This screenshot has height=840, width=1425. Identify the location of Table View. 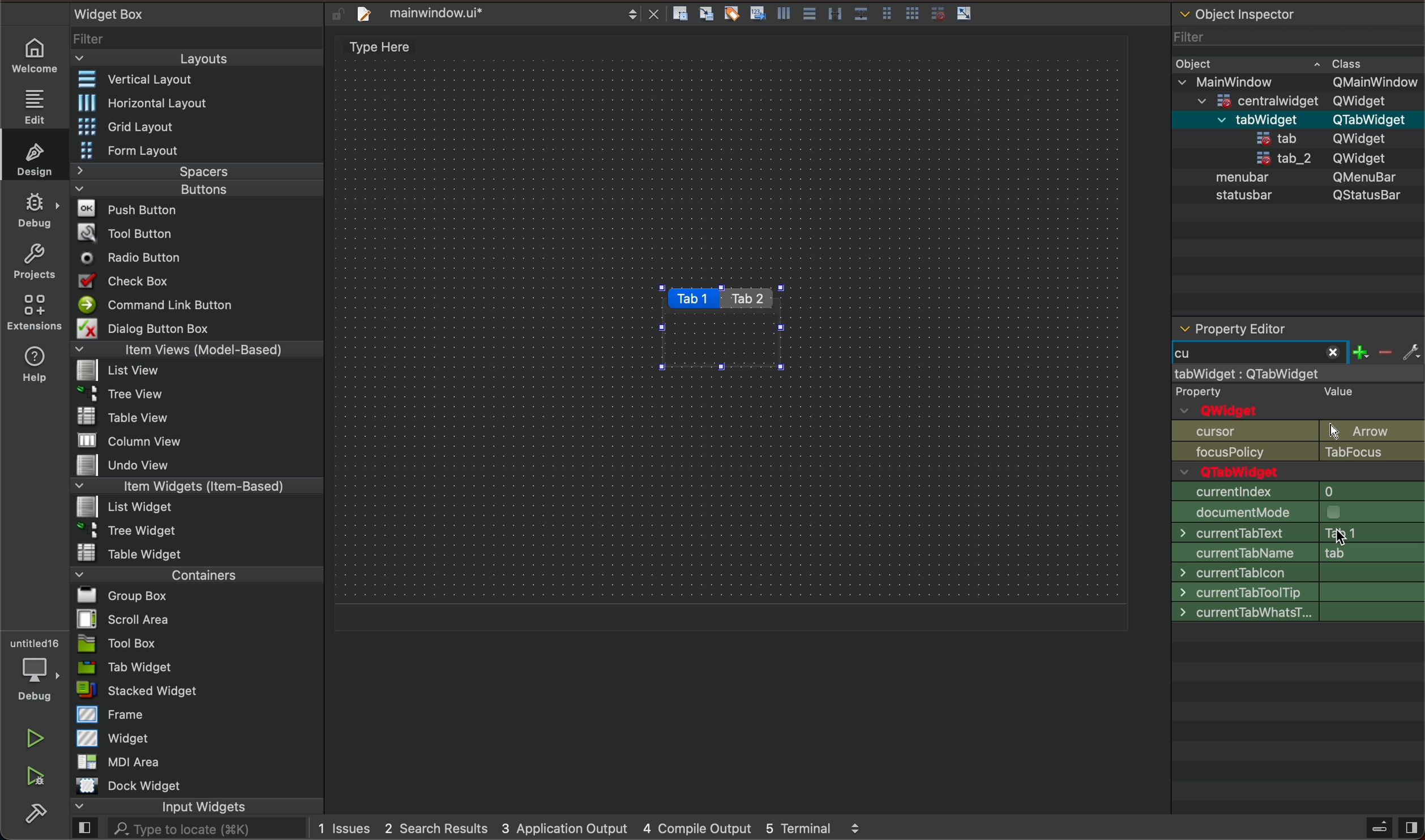
(109, 413).